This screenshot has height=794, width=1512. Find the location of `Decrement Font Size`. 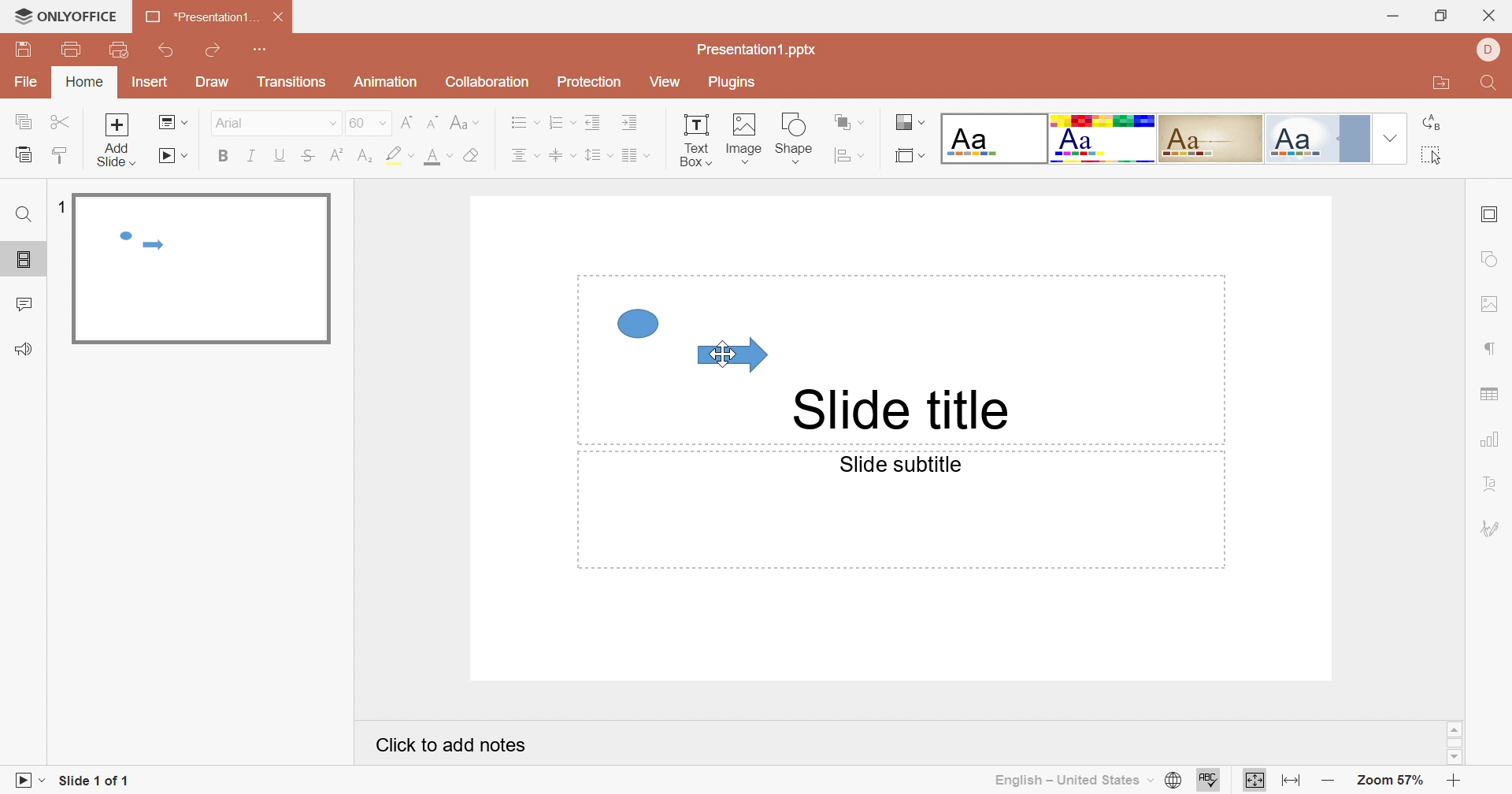

Decrement Font Size is located at coordinates (432, 118).